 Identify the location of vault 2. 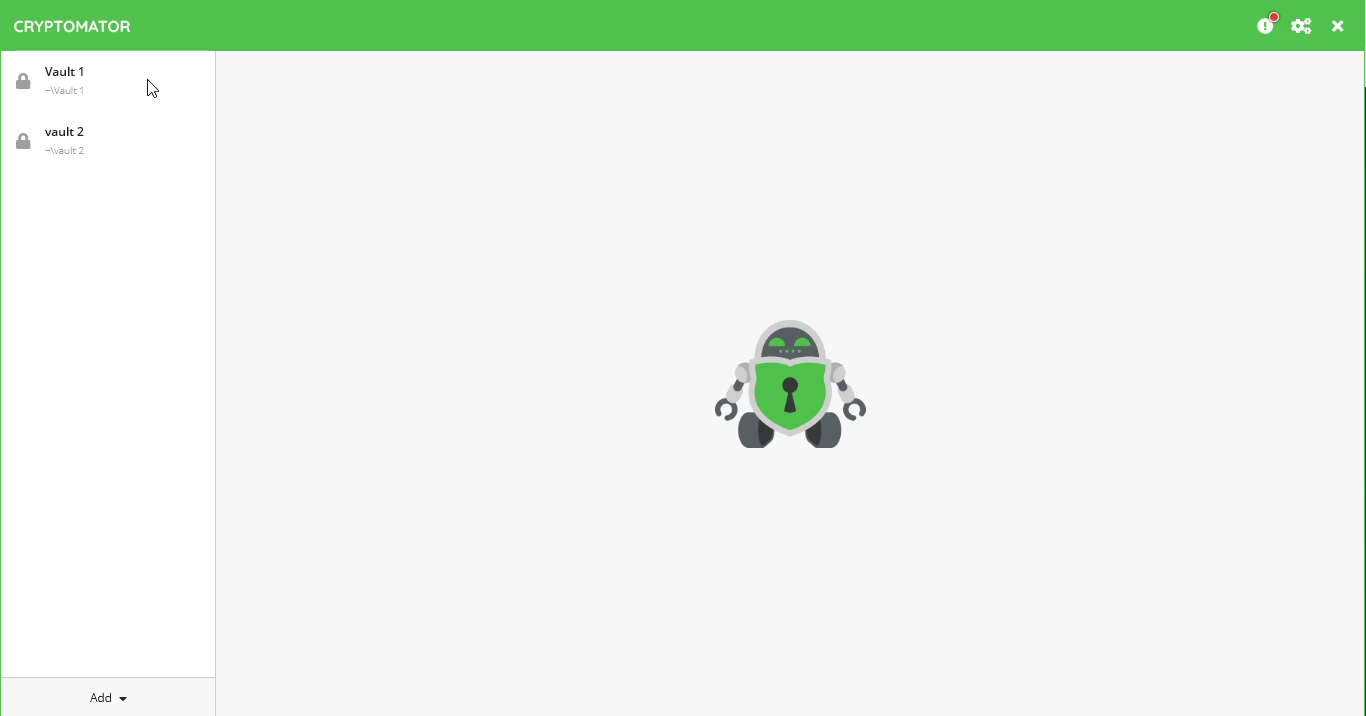
(58, 141).